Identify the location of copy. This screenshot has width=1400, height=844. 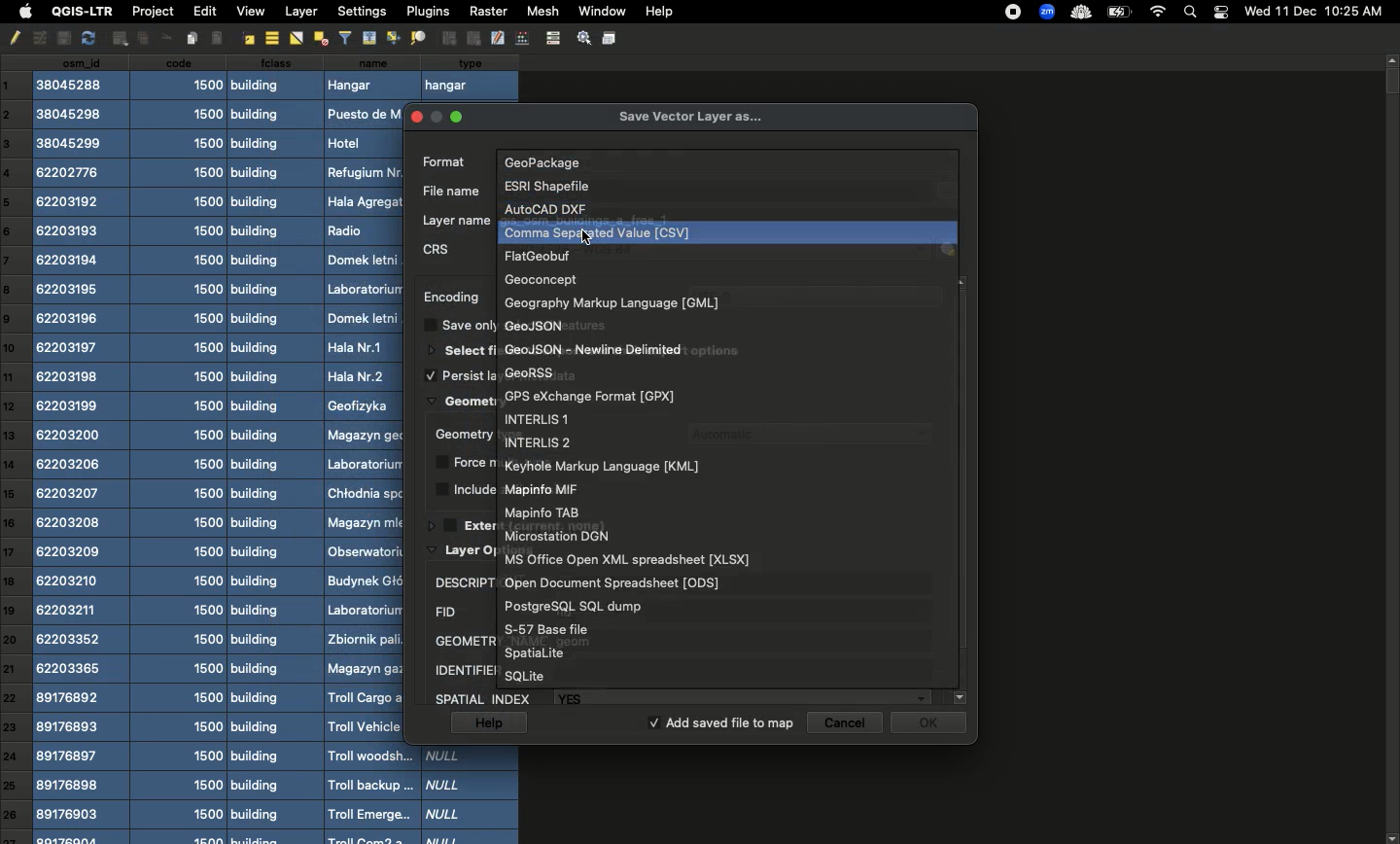
(60, 38).